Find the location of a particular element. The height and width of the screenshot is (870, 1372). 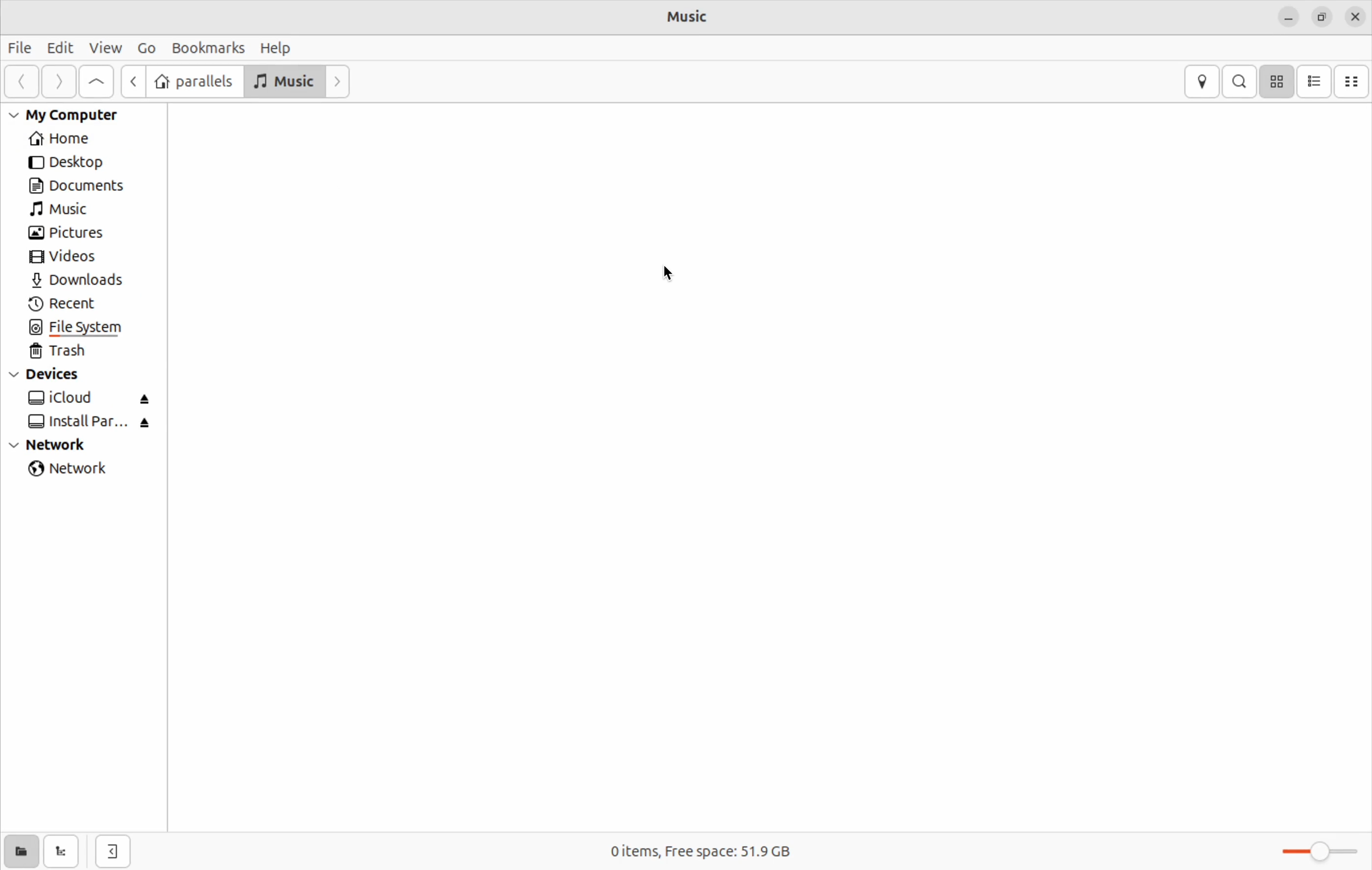

minimize is located at coordinates (1288, 18).